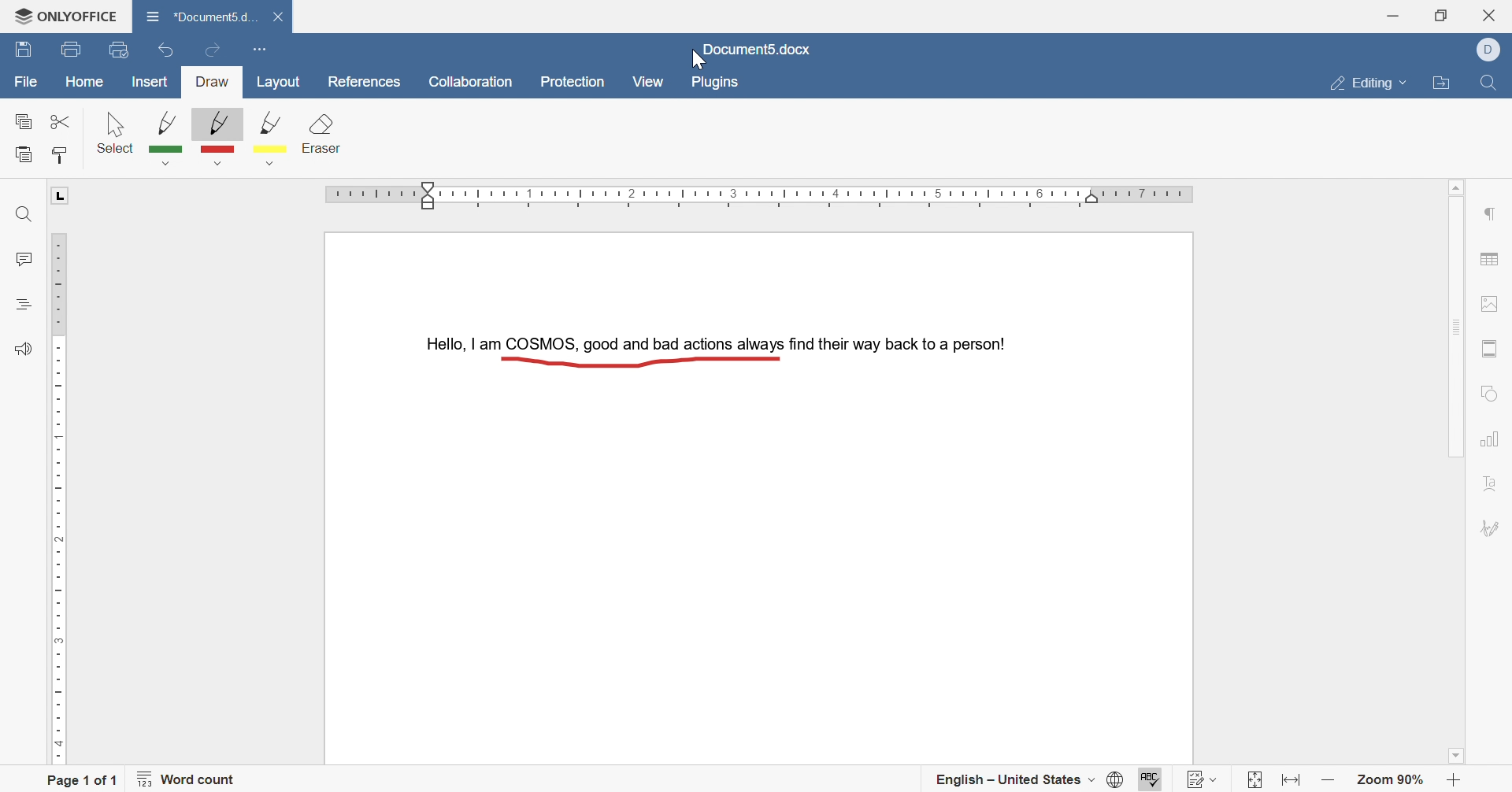  I want to click on draw, so click(213, 83).